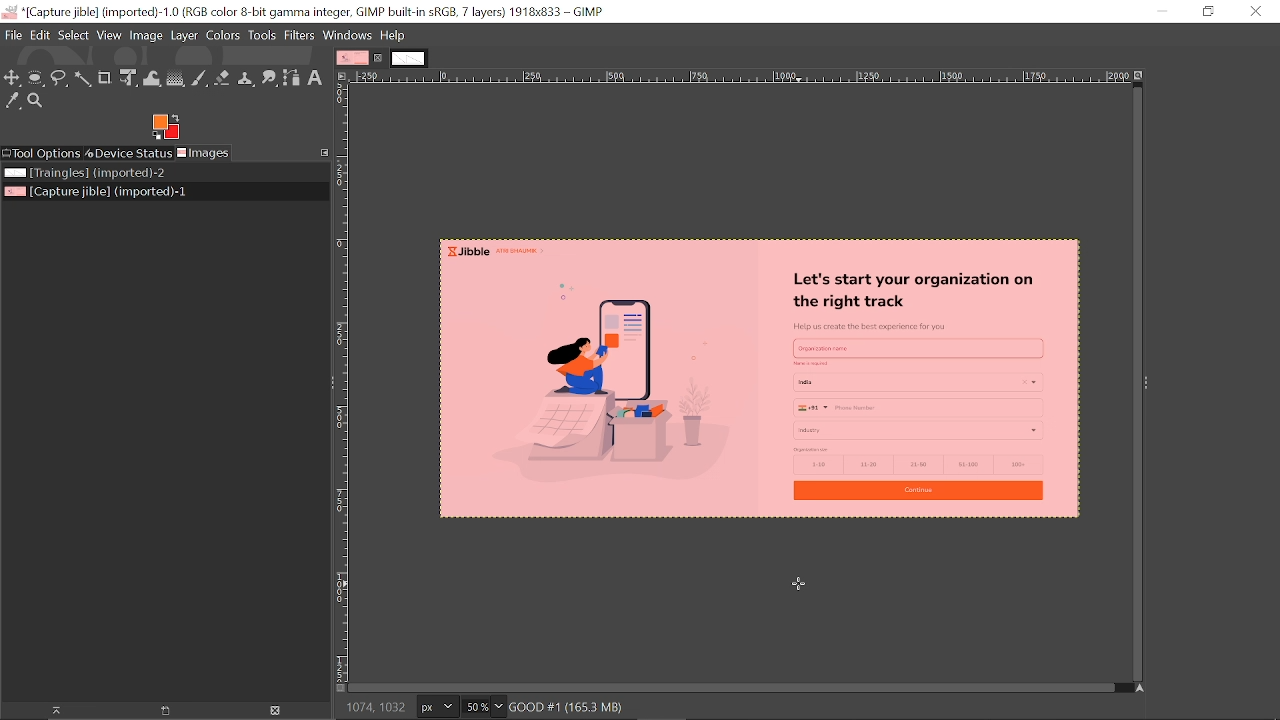 This screenshot has height=720, width=1280. What do you see at coordinates (342, 383) in the screenshot?
I see `Vertical label` at bounding box center [342, 383].